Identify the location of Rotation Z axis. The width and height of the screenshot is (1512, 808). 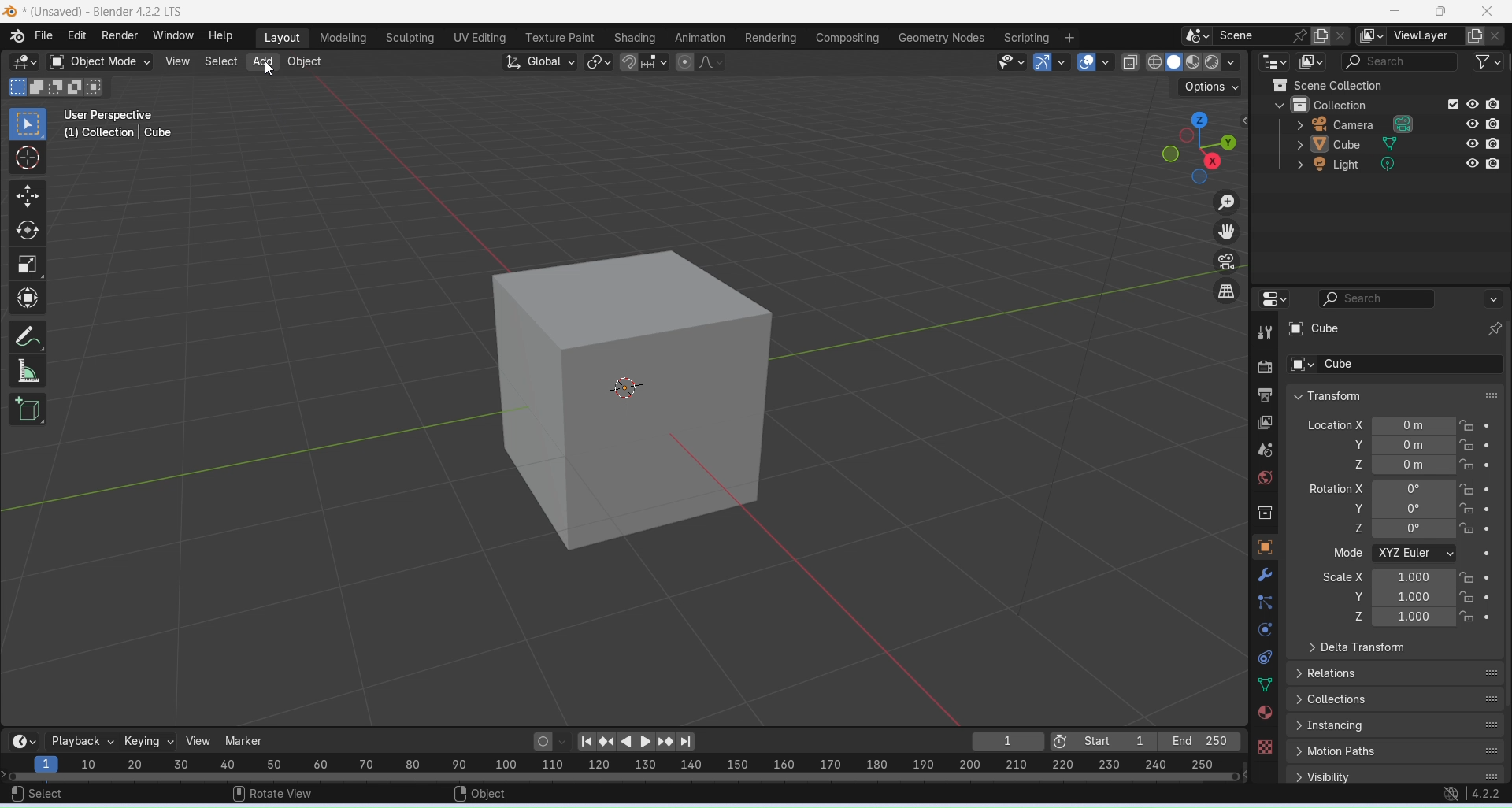
(1358, 527).